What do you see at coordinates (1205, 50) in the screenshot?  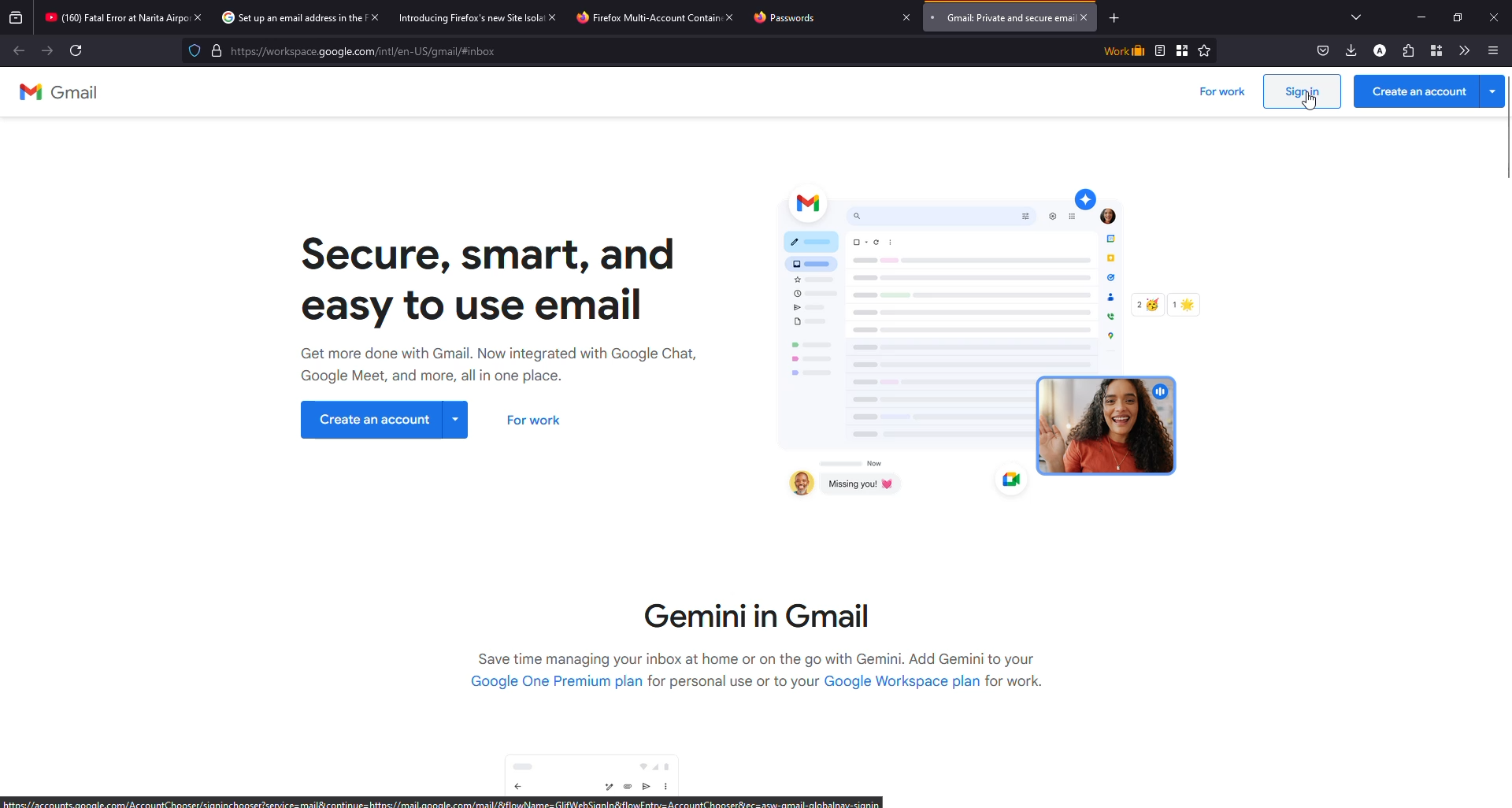 I see `favorite` at bounding box center [1205, 50].